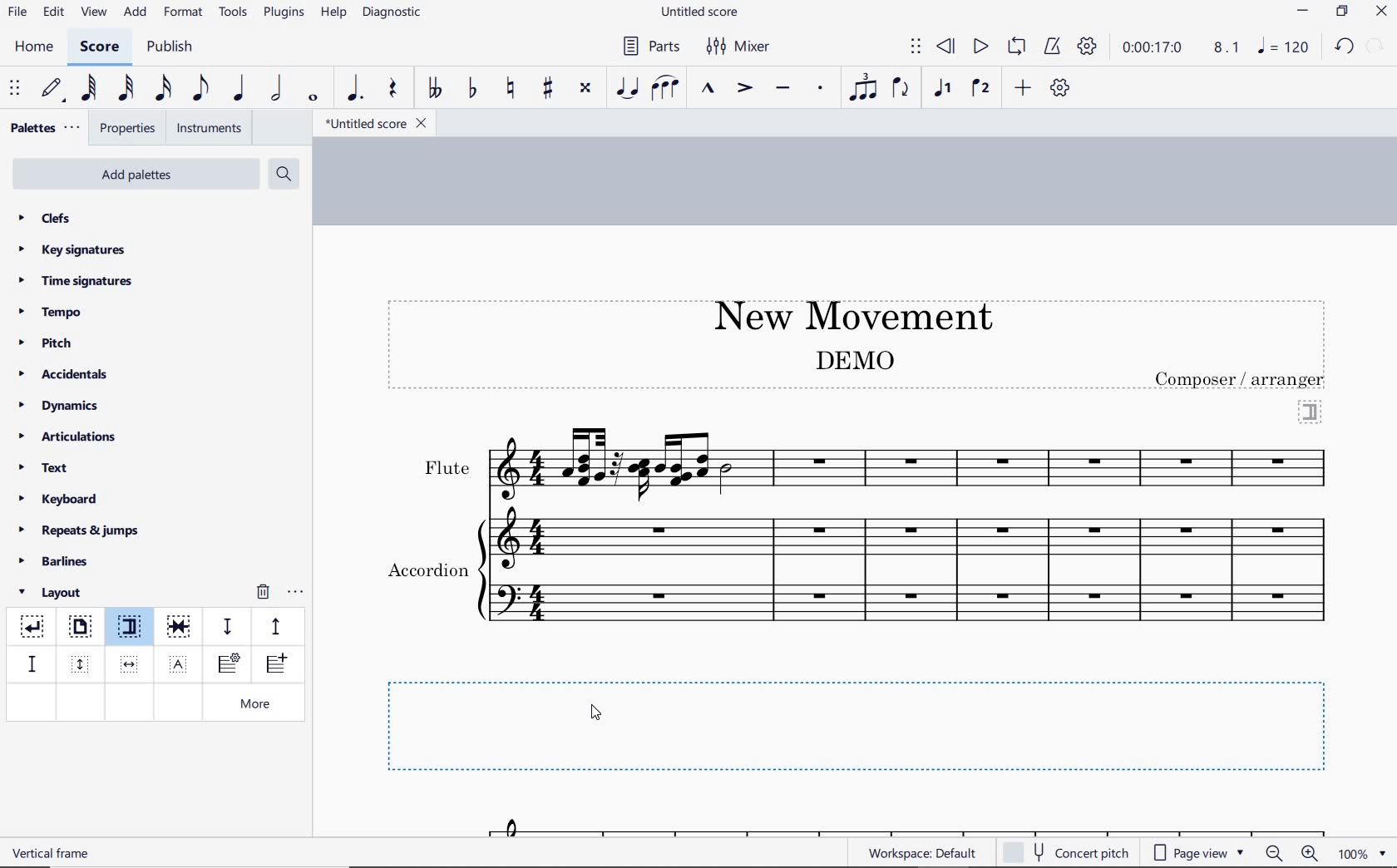  What do you see at coordinates (598, 714) in the screenshot?
I see `cursor` at bounding box center [598, 714].